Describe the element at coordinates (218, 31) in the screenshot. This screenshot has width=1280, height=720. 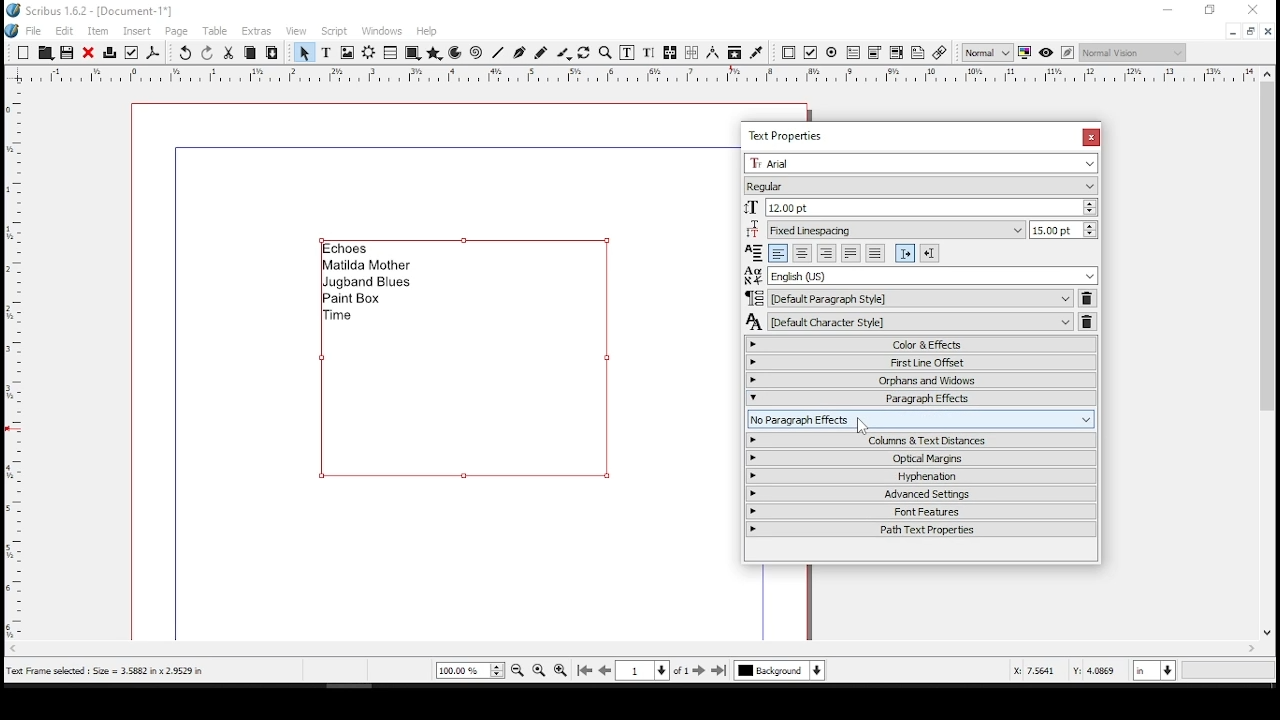
I see `table` at that location.